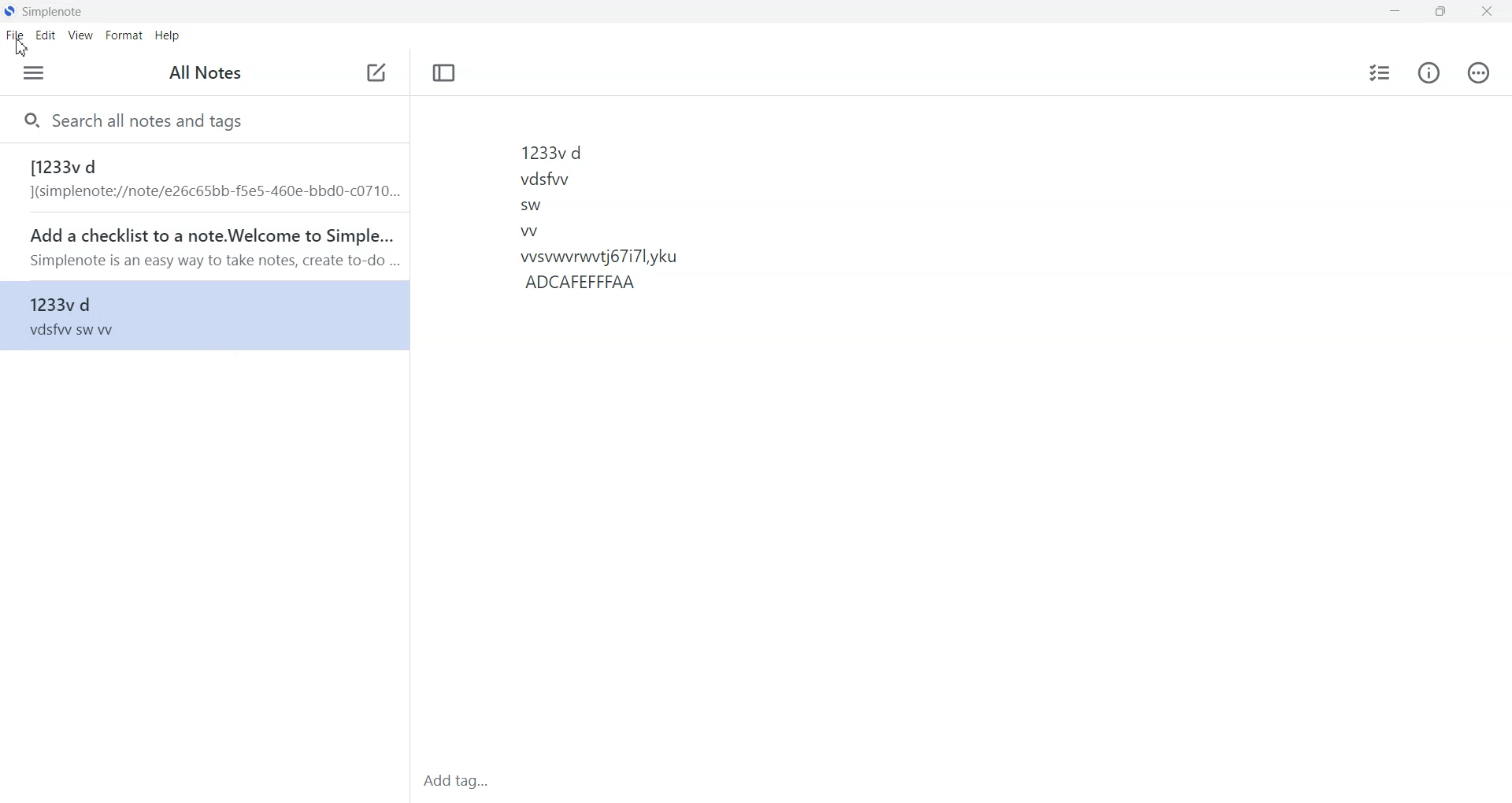 This screenshot has width=1512, height=803. I want to click on 1233v d file, so click(202, 177).